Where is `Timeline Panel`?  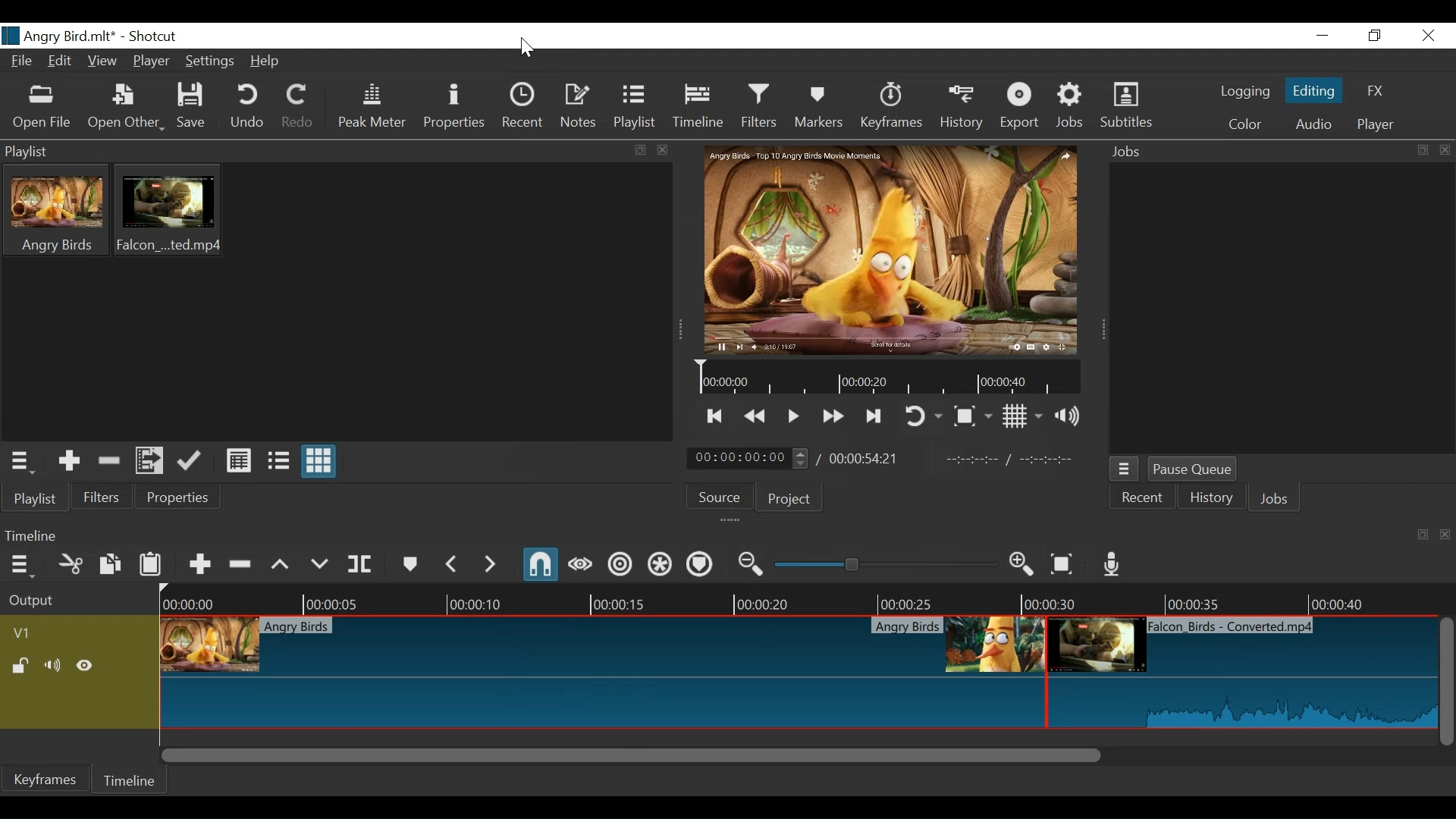 Timeline Panel is located at coordinates (727, 536).